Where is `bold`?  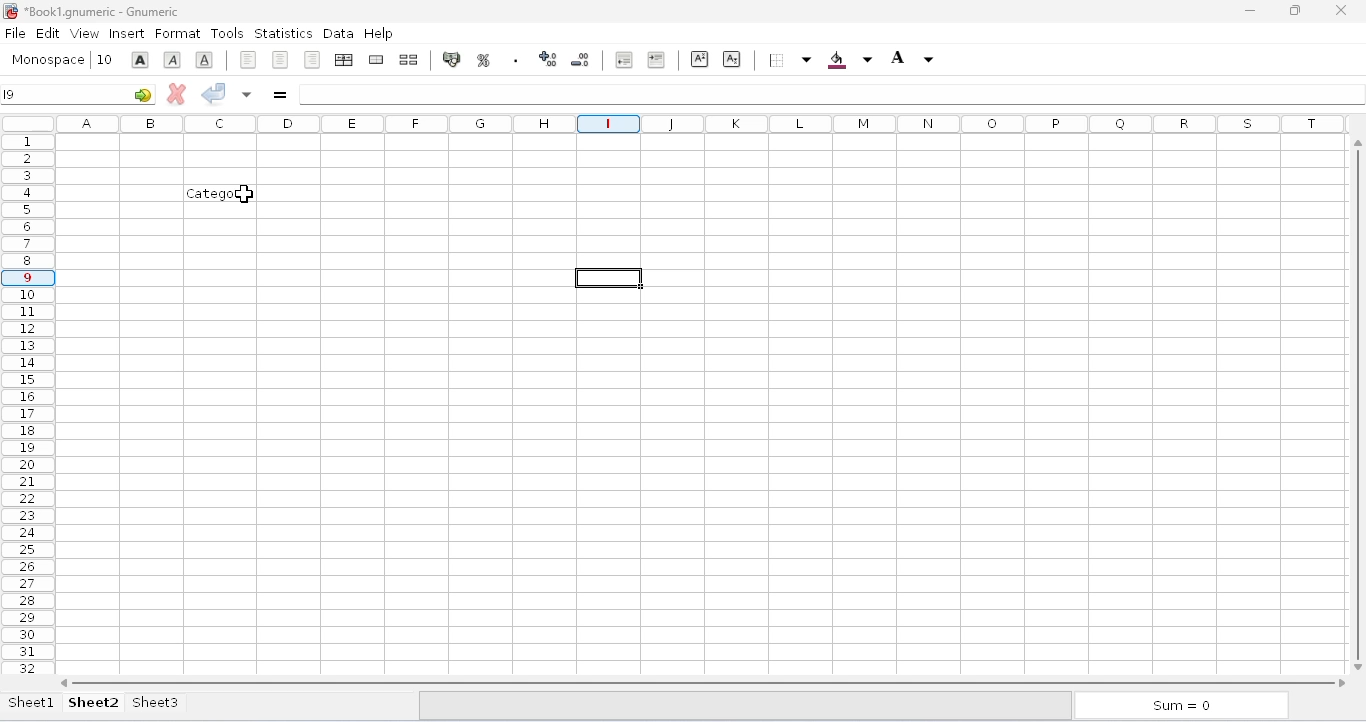 bold is located at coordinates (140, 60).